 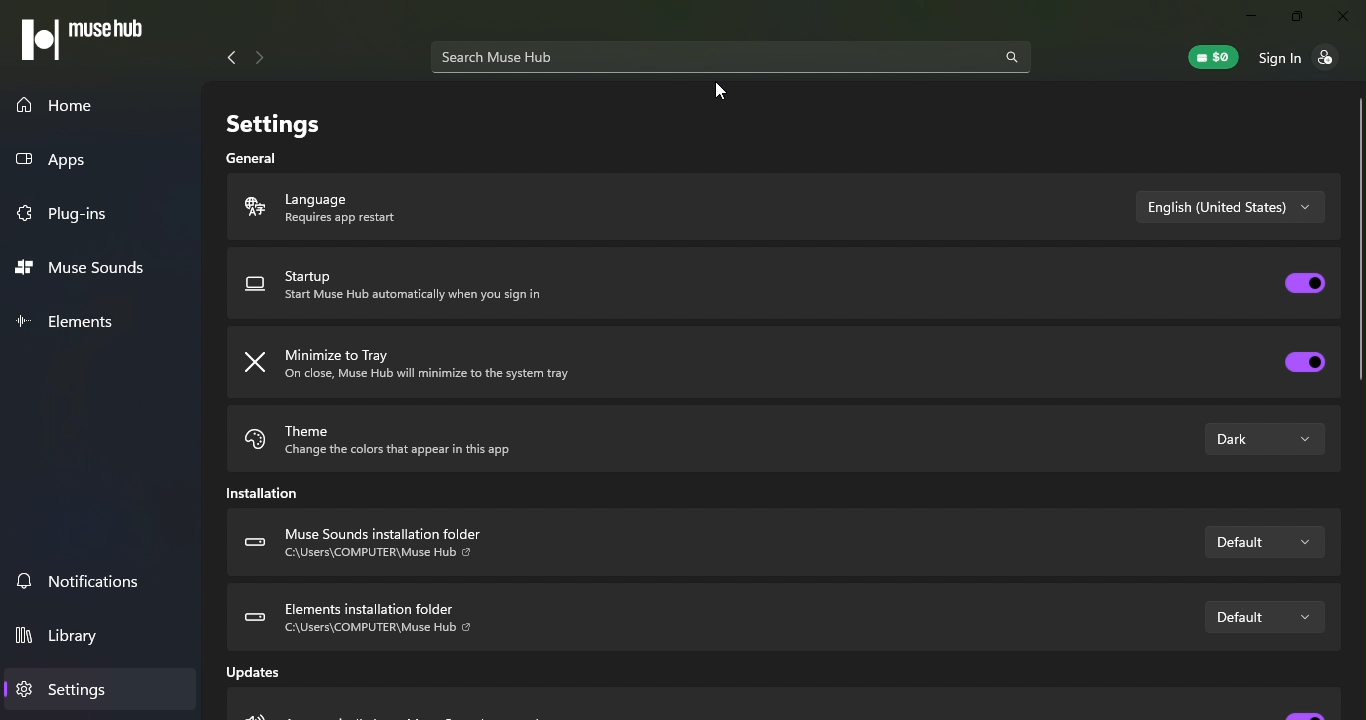 I want to click on Muse sounds installation folder, so click(x=381, y=546).